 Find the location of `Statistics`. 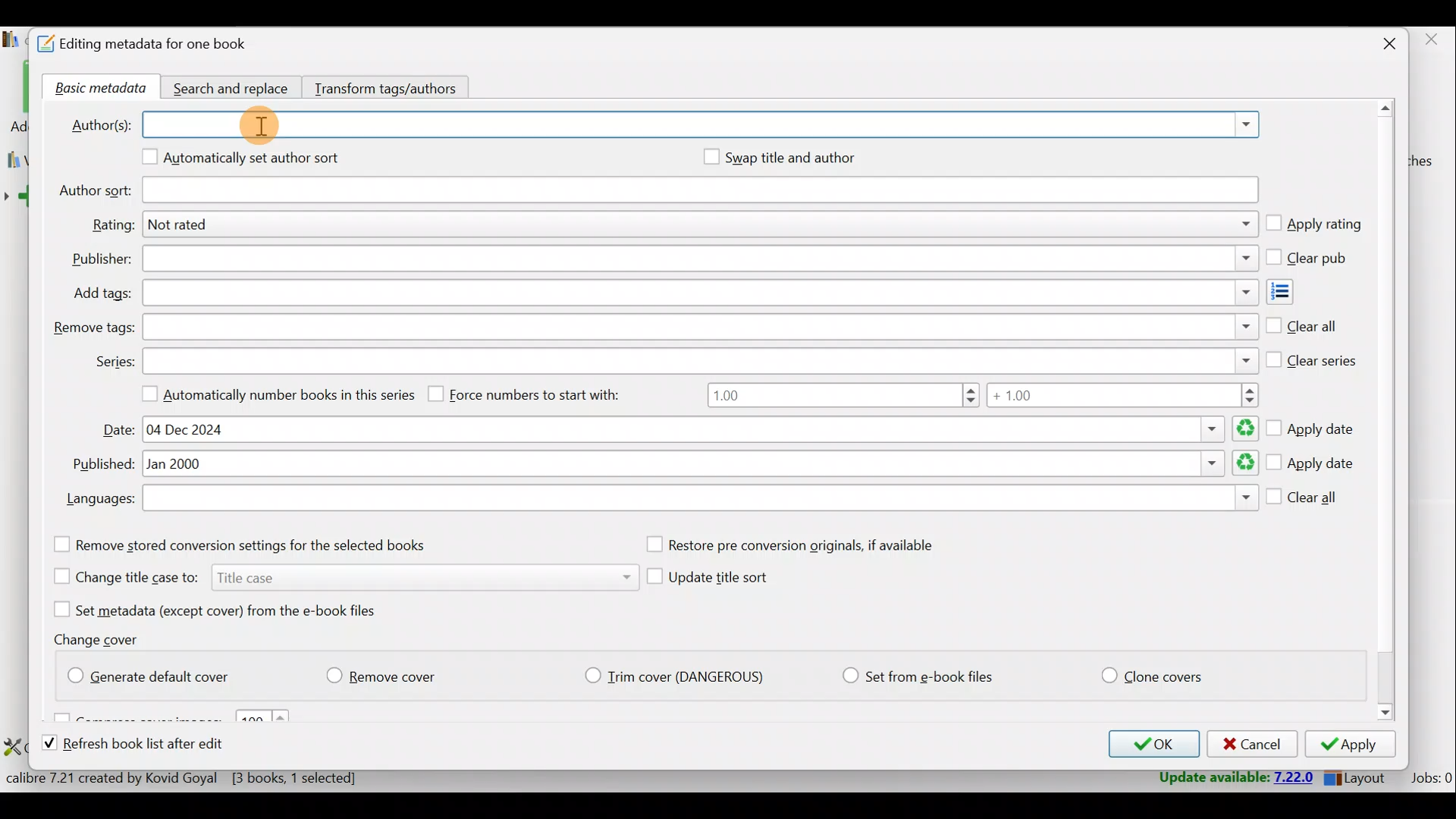

Statistics is located at coordinates (210, 777).